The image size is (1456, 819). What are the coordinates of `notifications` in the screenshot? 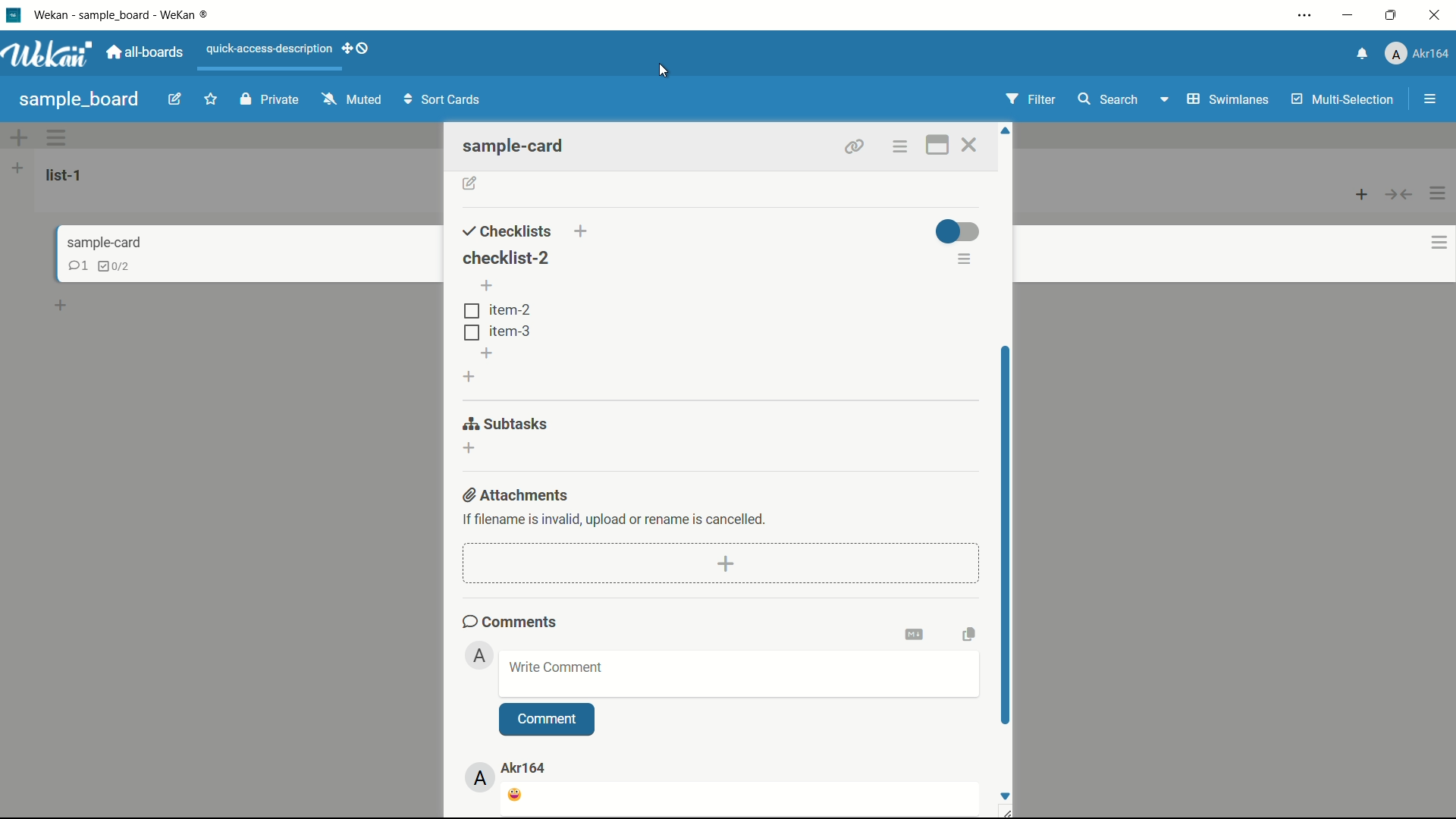 It's located at (1363, 52).